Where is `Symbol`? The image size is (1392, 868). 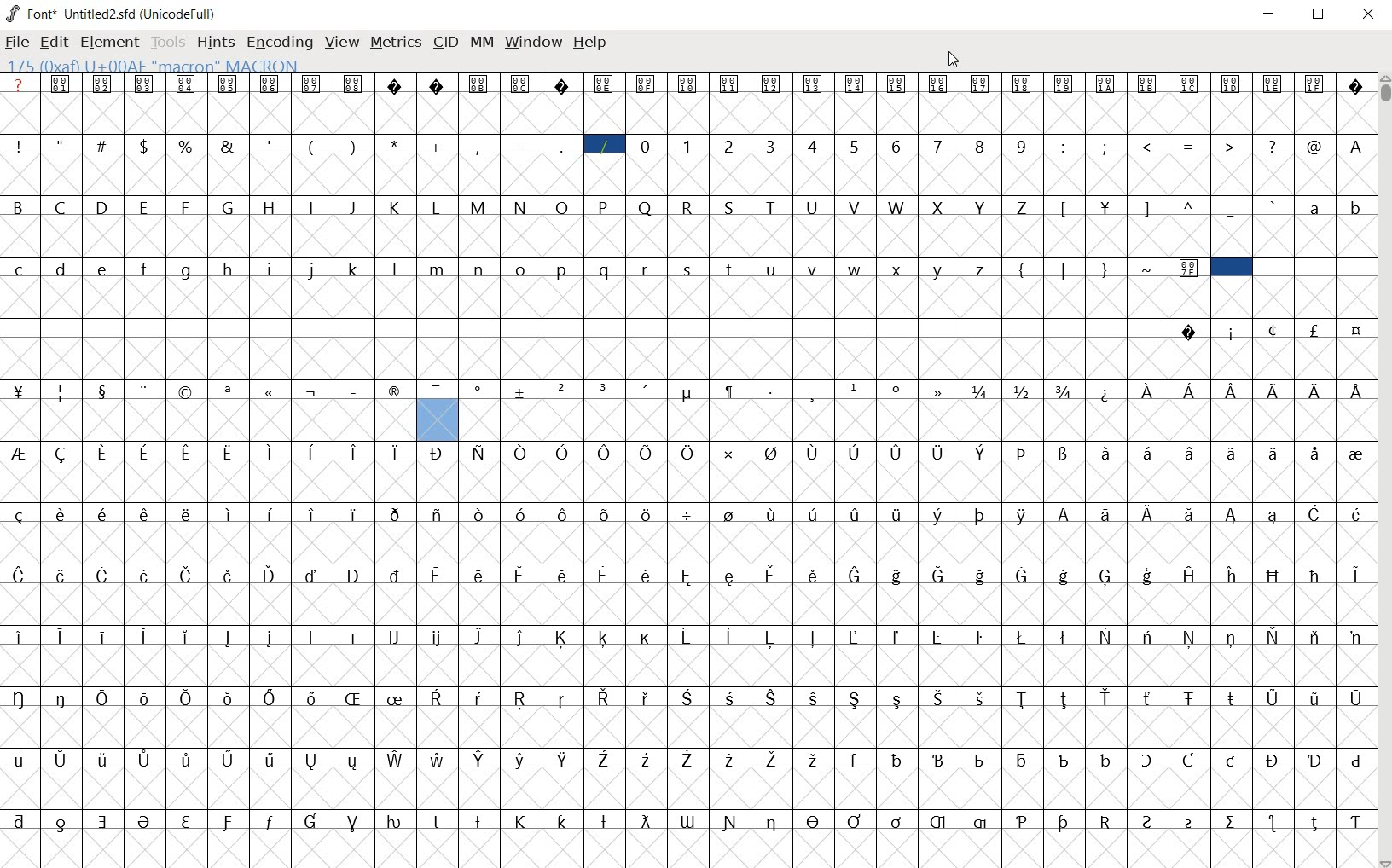 Symbol is located at coordinates (1106, 758).